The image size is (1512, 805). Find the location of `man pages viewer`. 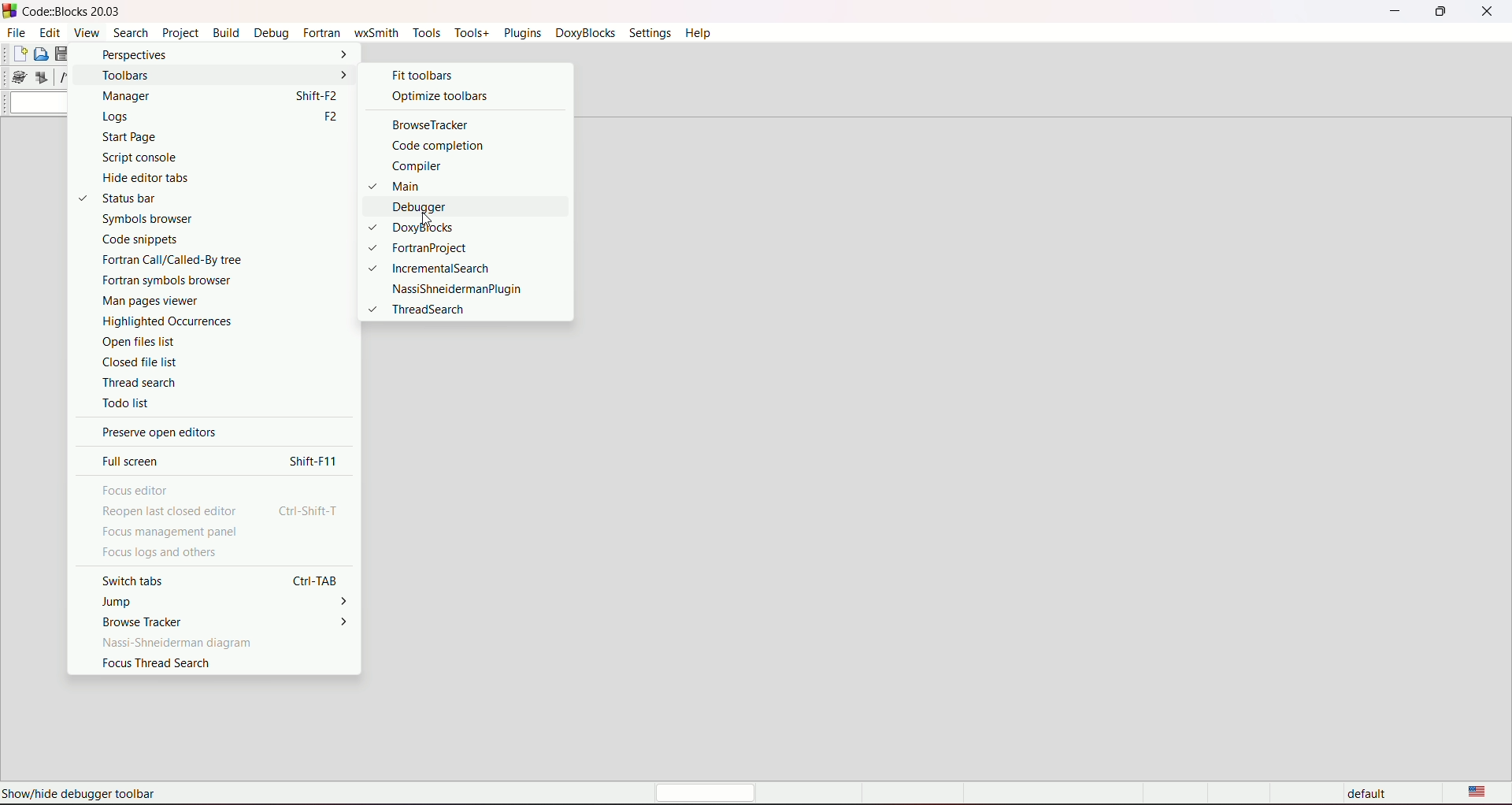

man pages viewer is located at coordinates (200, 300).